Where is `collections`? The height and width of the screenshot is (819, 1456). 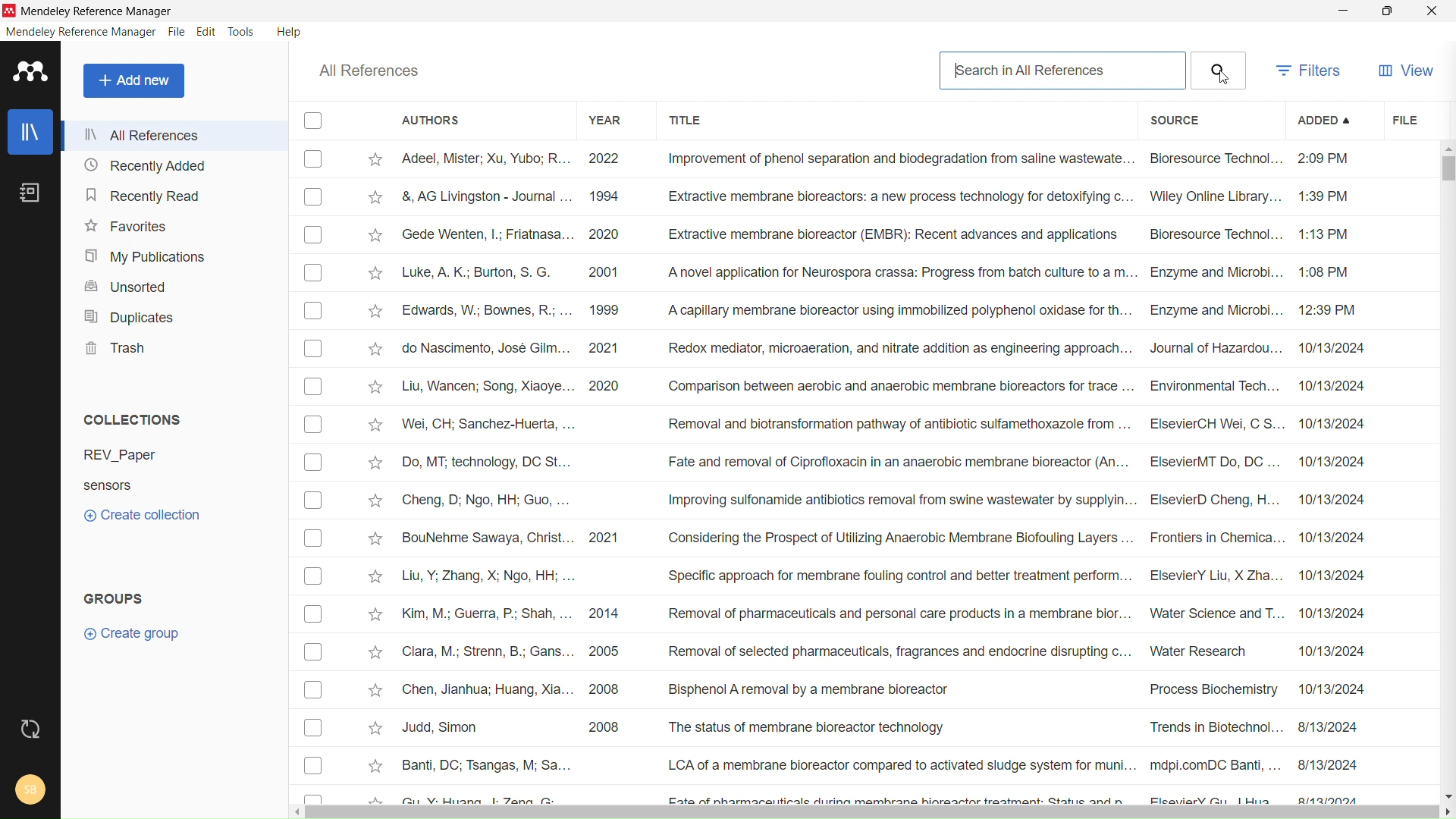
collections is located at coordinates (132, 419).